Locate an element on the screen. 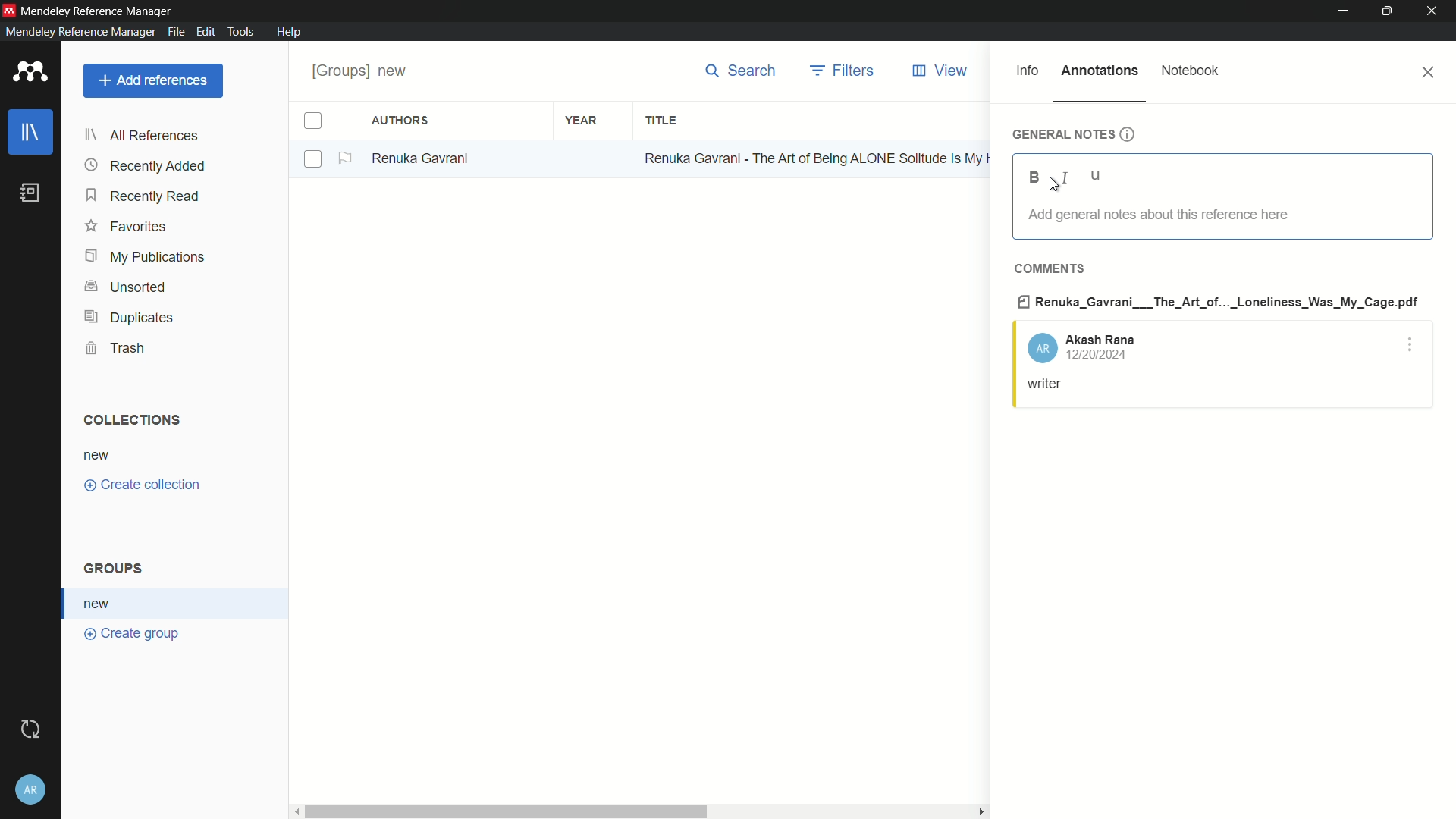 This screenshot has height=819, width=1456. mendeley reference manager is located at coordinates (78, 32).